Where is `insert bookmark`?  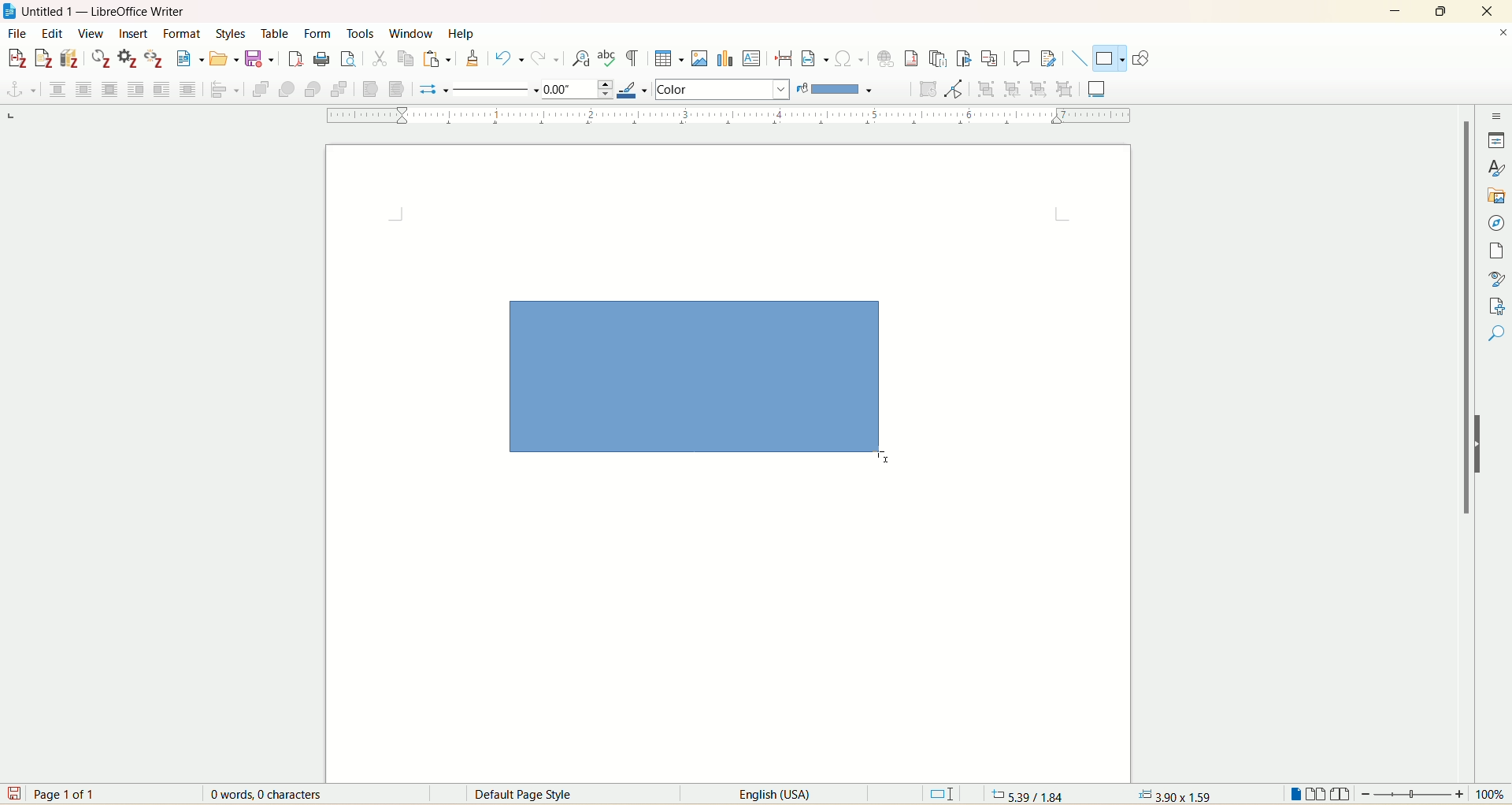
insert bookmark is located at coordinates (966, 59).